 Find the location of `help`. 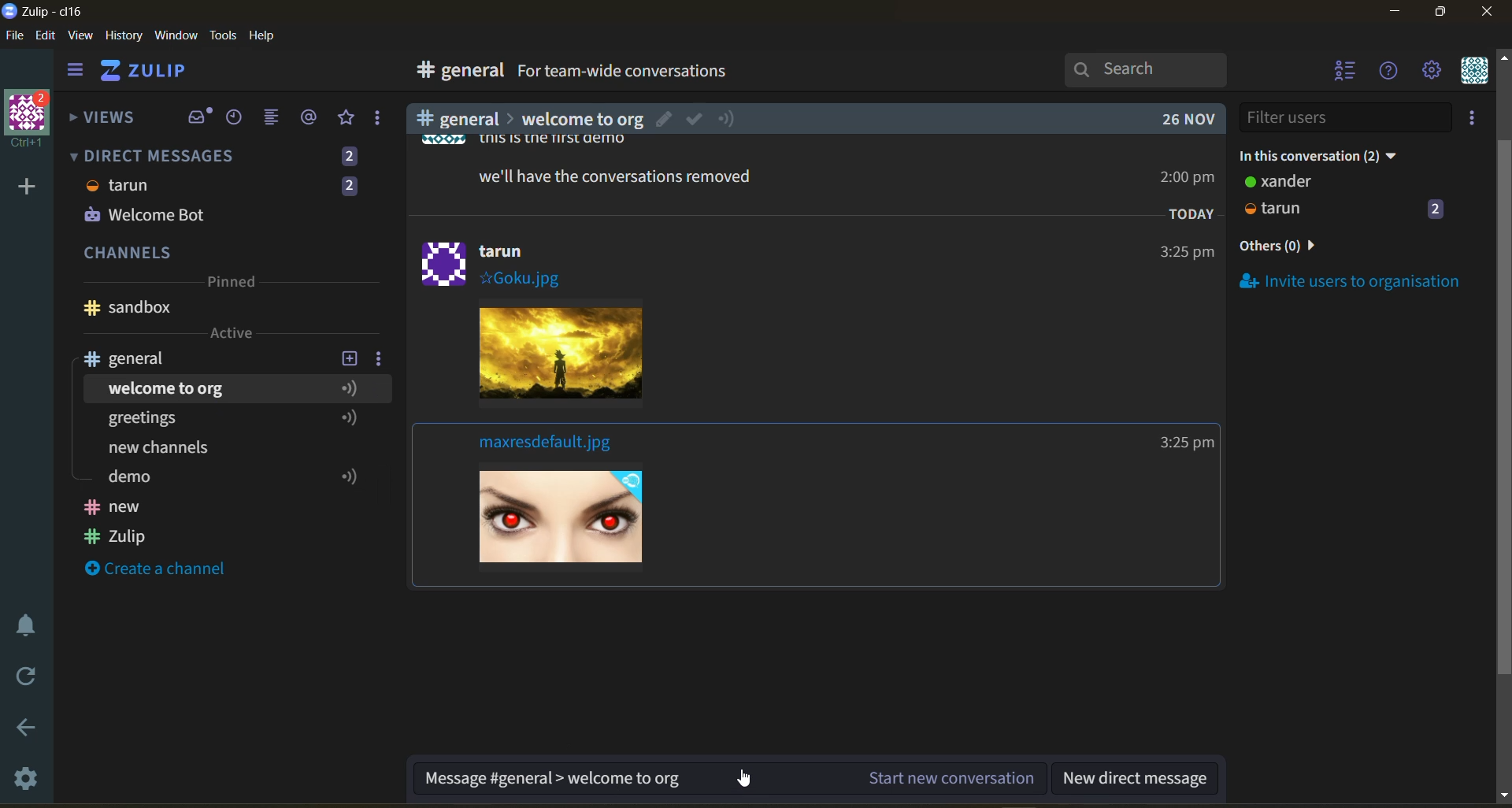

help is located at coordinates (268, 36).